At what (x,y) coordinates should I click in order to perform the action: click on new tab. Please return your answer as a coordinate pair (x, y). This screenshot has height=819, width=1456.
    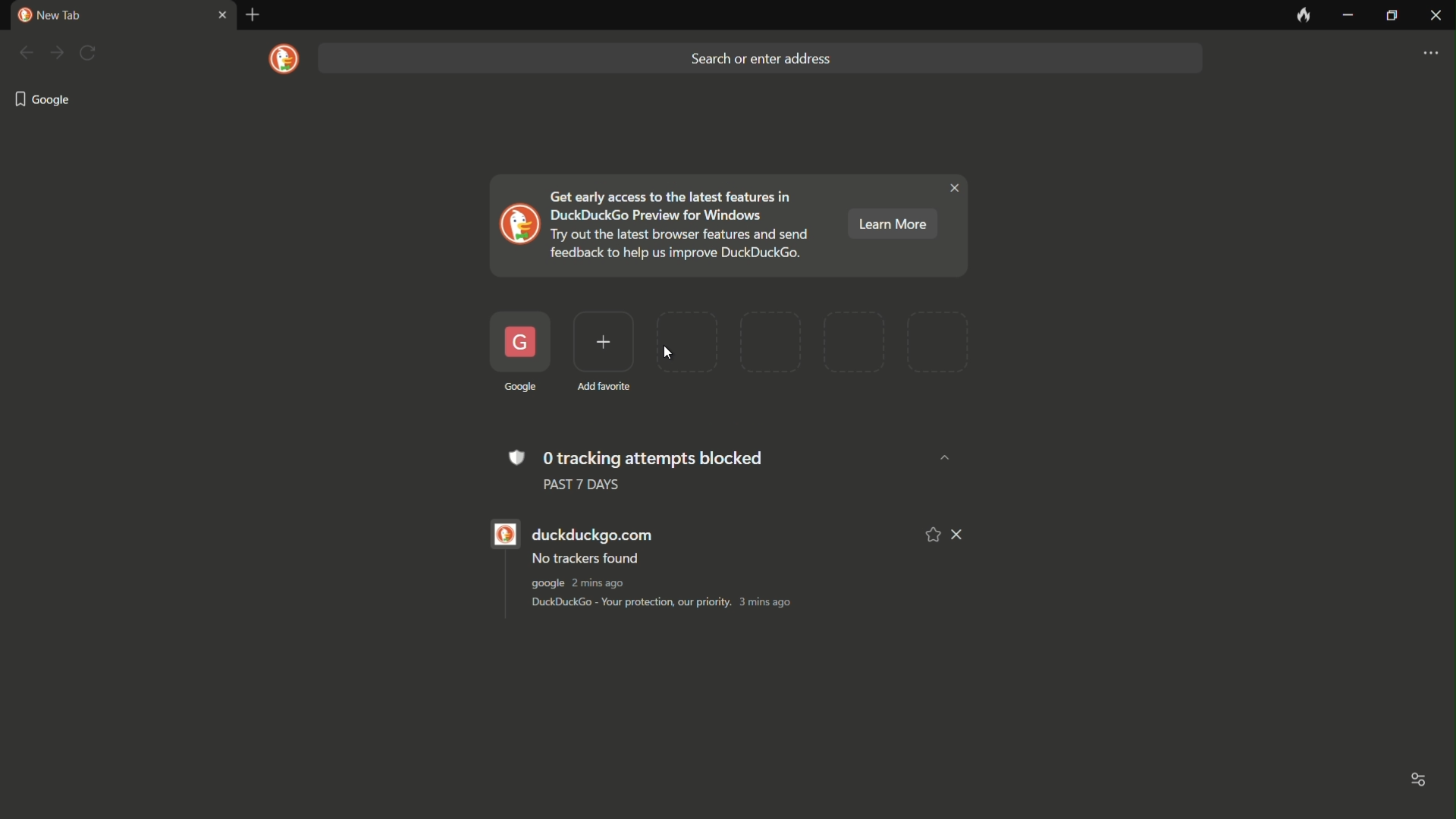
    Looking at the image, I should click on (253, 15).